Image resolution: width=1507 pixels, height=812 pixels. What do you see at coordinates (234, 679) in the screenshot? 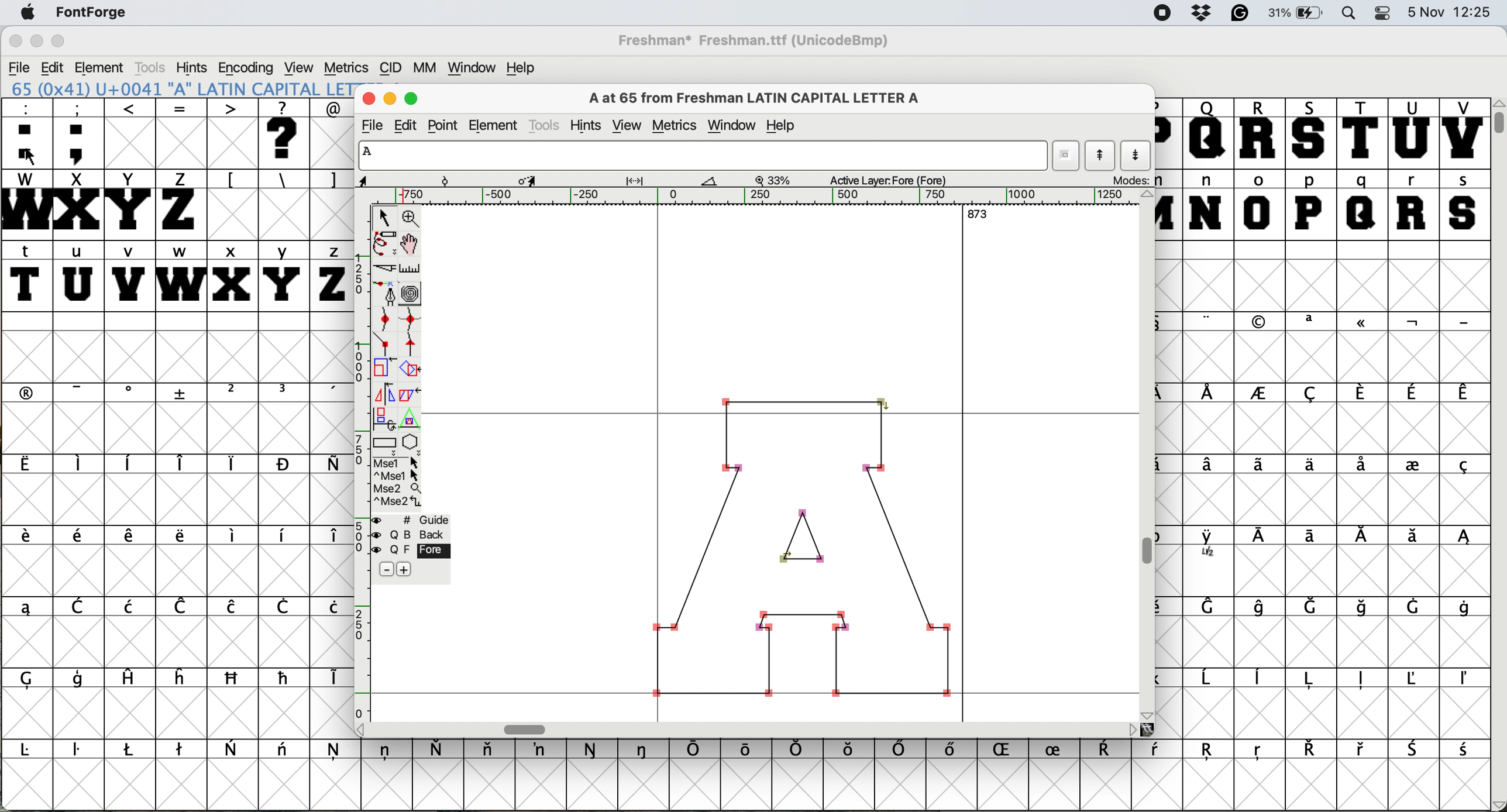
I see `symbol` at bounding box center [234, 679].